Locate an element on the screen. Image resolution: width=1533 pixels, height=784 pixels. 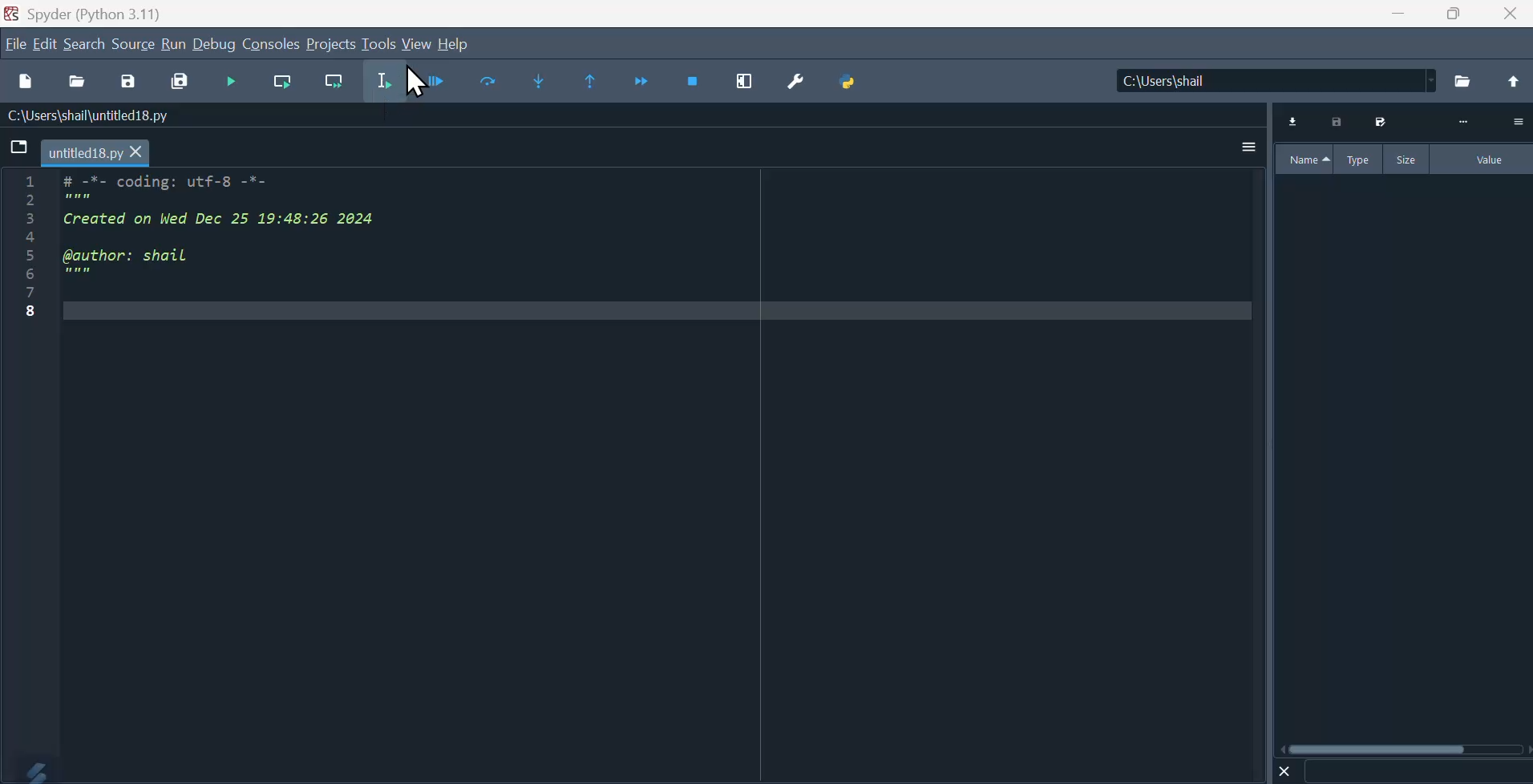
Save all is located at coordinates (180, 83).